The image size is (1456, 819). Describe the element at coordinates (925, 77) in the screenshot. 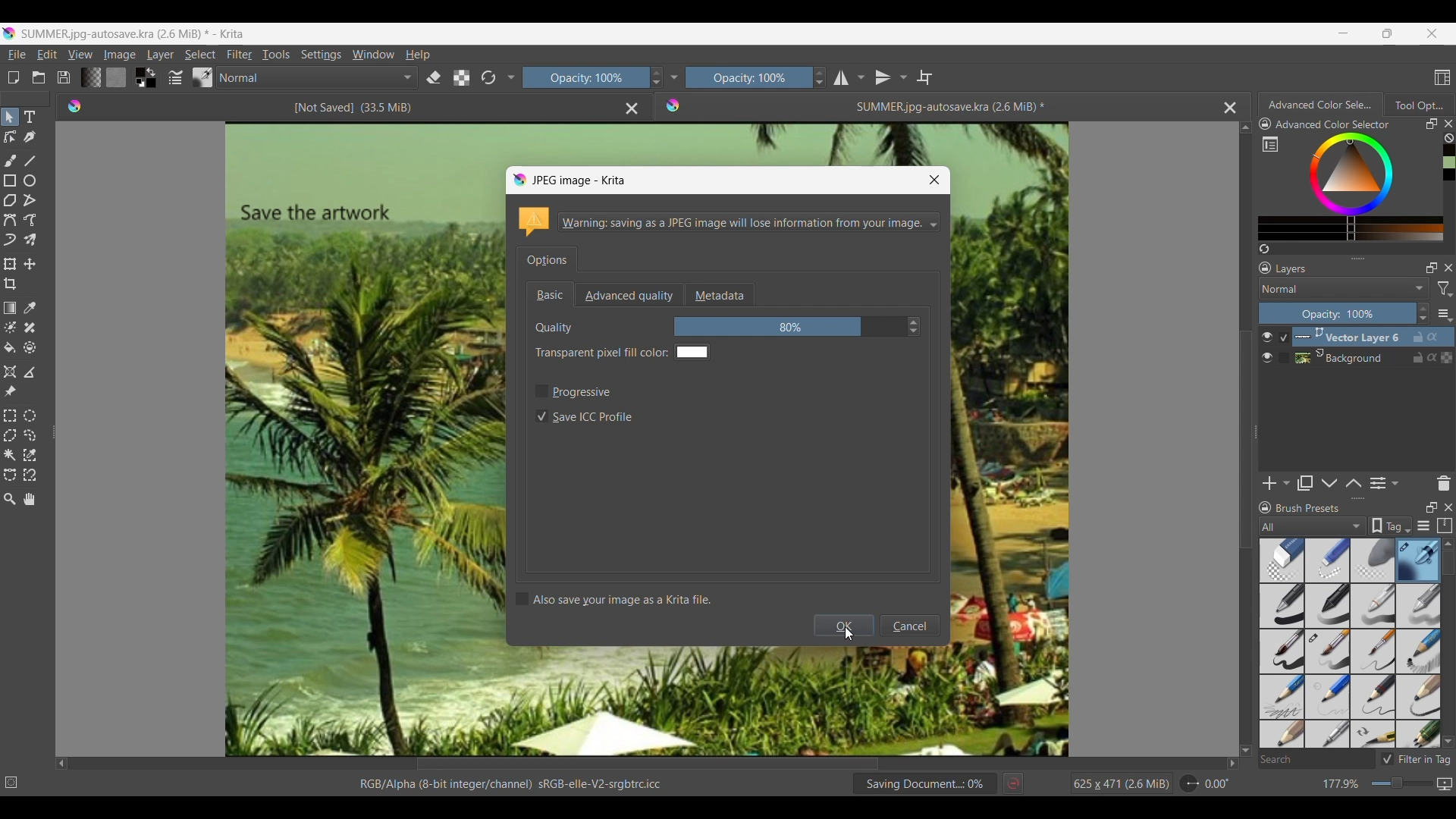

I see `Wrap around mode` at that location.